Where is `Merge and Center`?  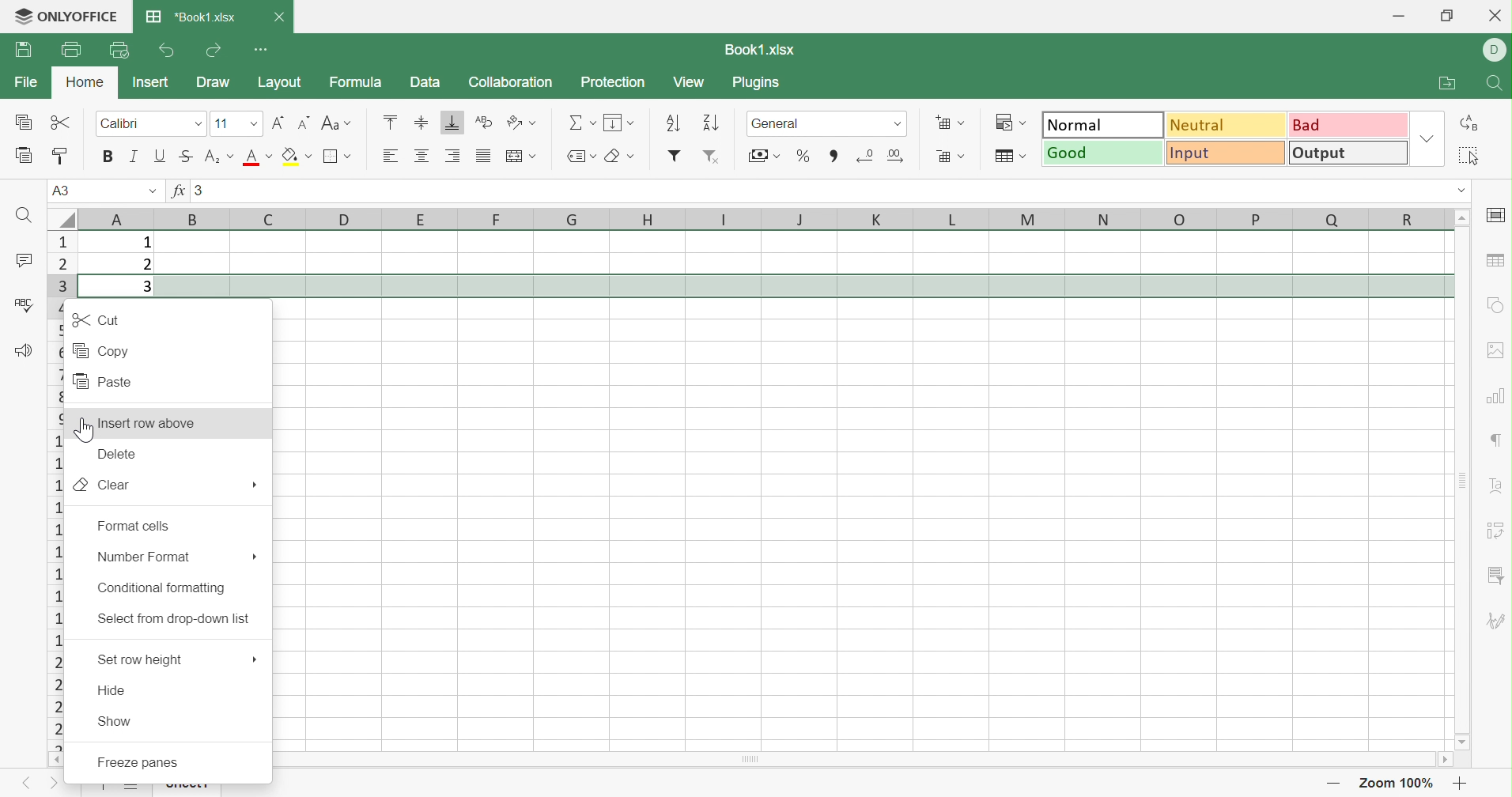
Merge and Center is located at coordinates (513, 157).